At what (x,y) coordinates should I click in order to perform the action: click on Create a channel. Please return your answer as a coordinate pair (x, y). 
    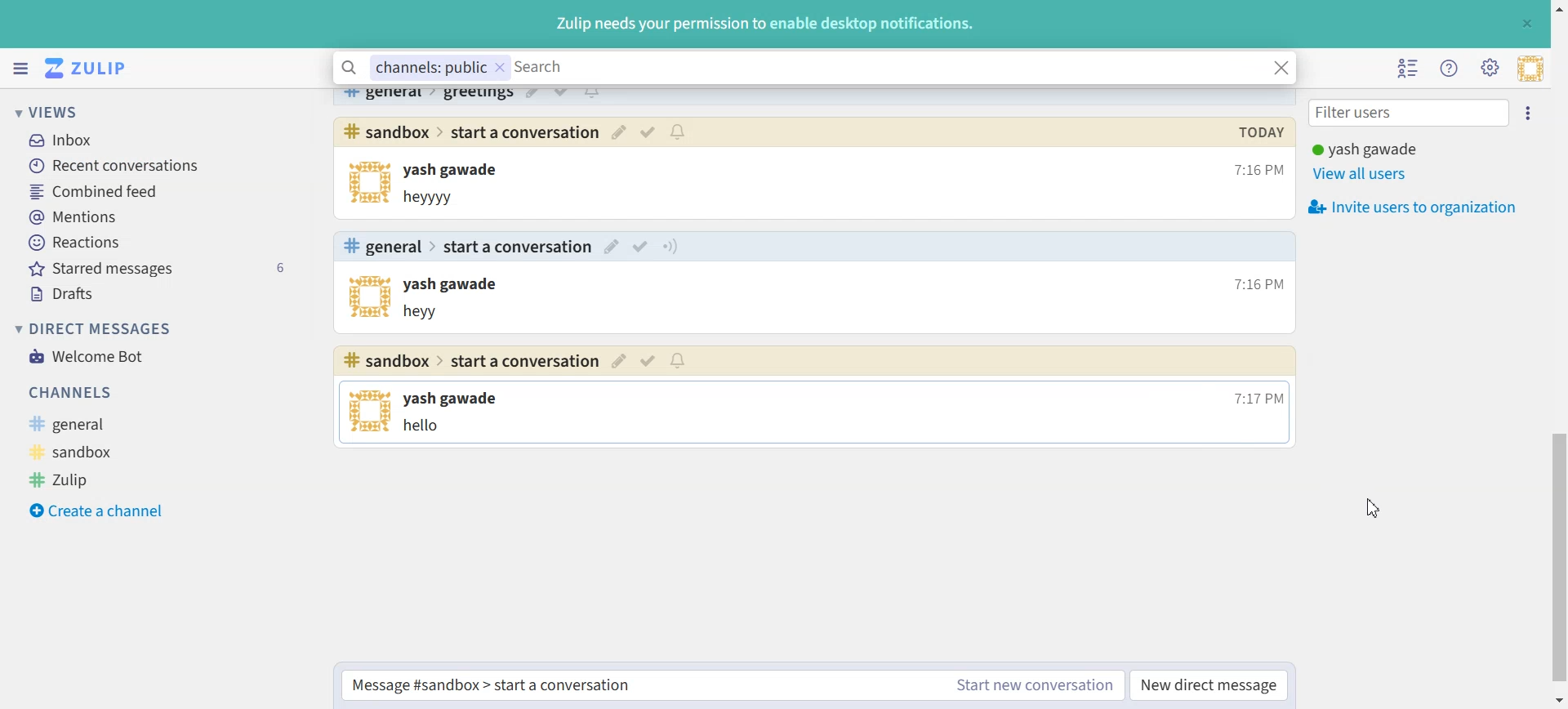
    Looking at the image, I should click on (97, 508).